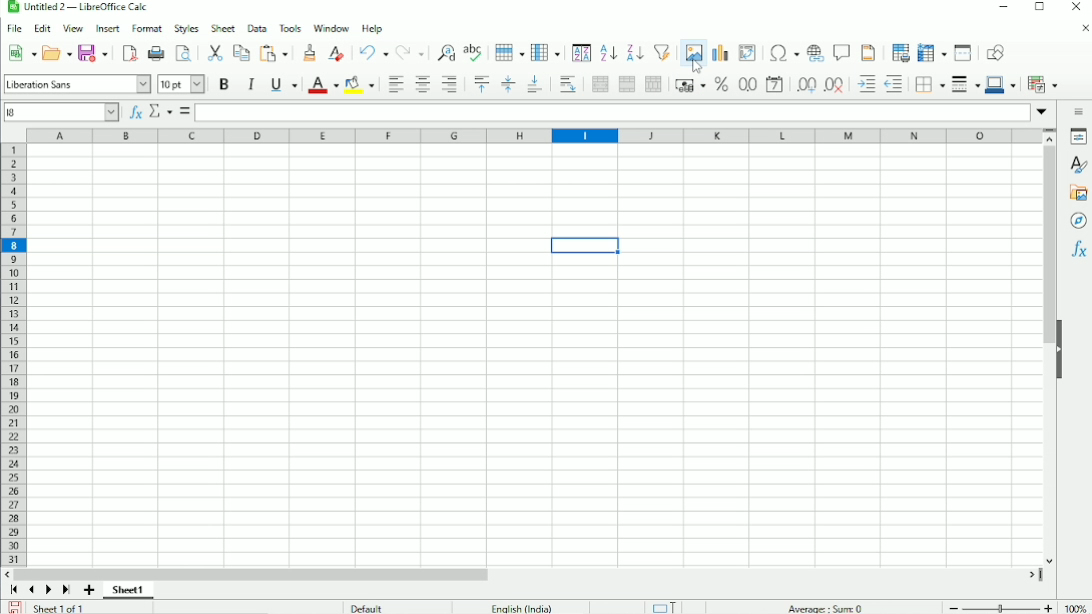 The width and height of the screenshot is (1092, 614). I want to click on Cut, so click(213, 53).